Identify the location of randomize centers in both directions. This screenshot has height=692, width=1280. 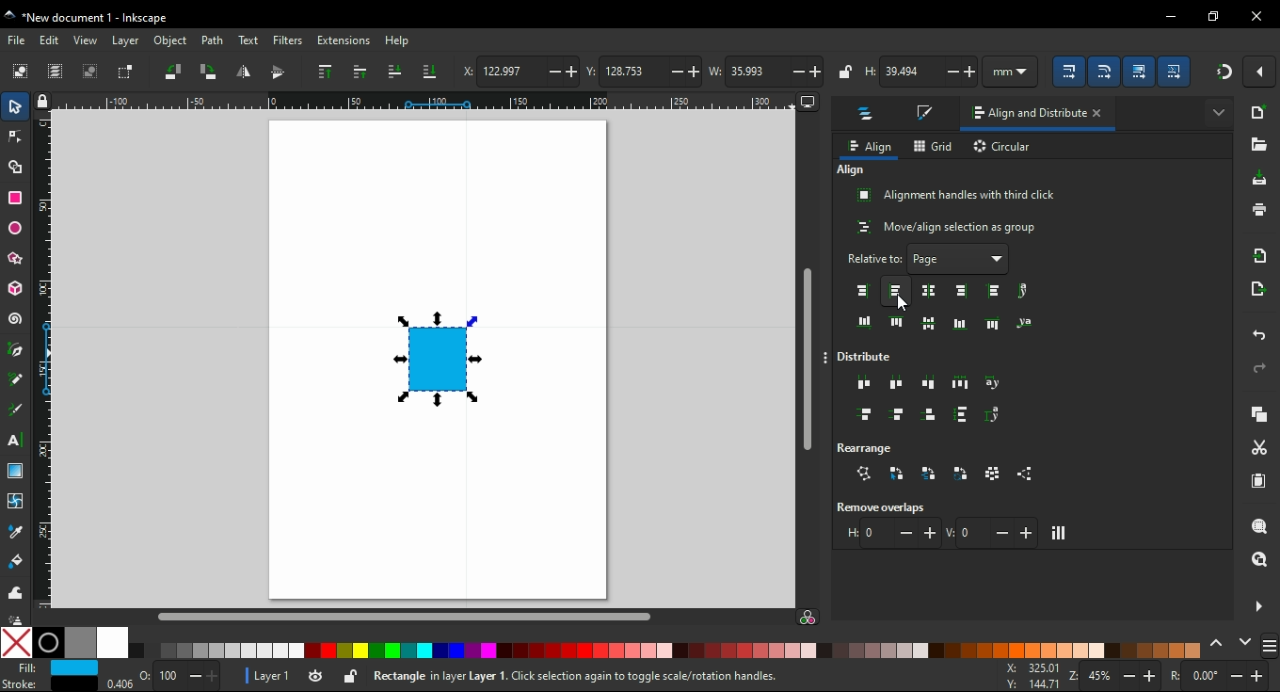
(994, 474).